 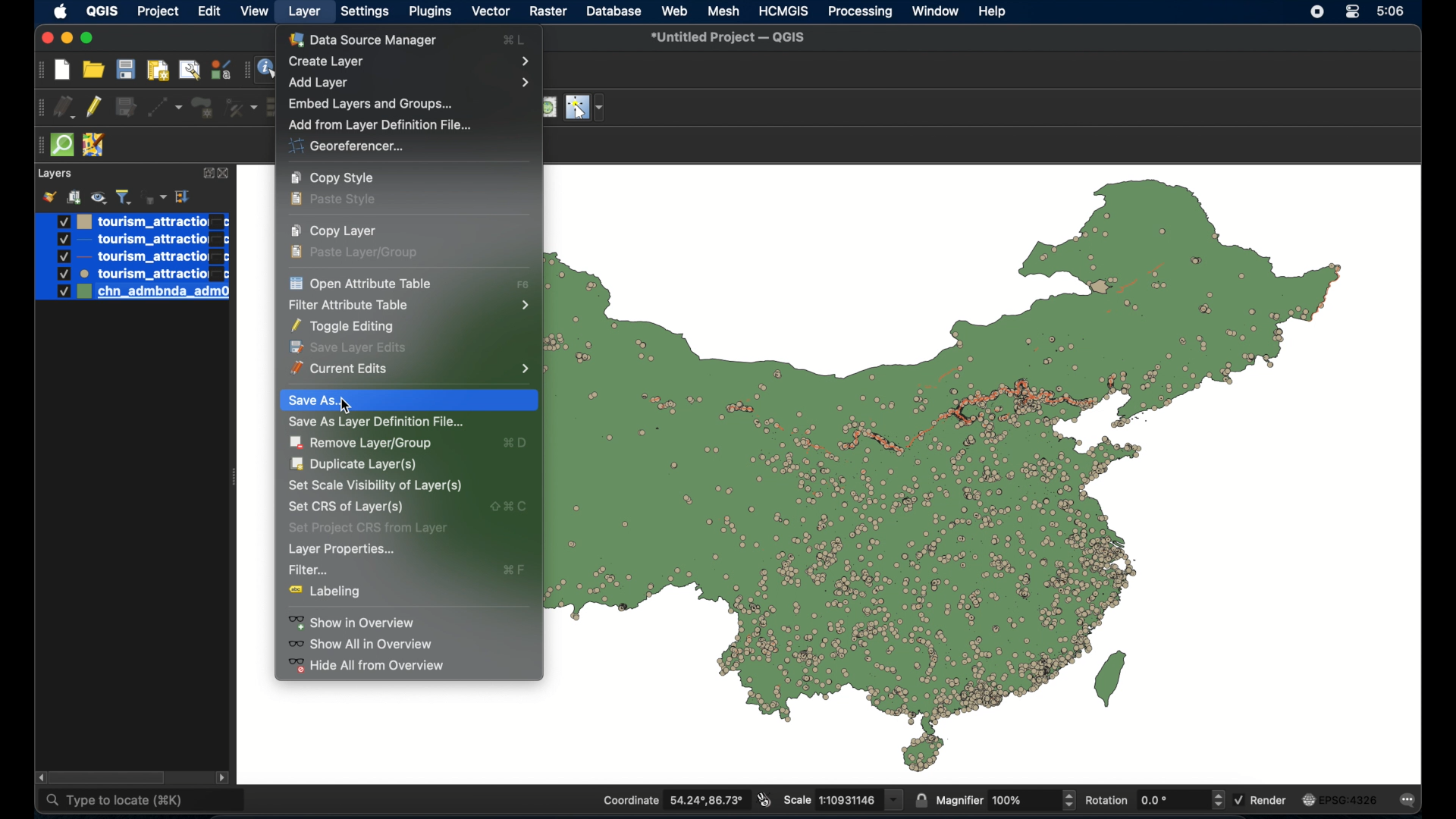 What do you see at coordinates (347, 409) in the screenshot?
I see `cursor` at bounding box center [347, 409].